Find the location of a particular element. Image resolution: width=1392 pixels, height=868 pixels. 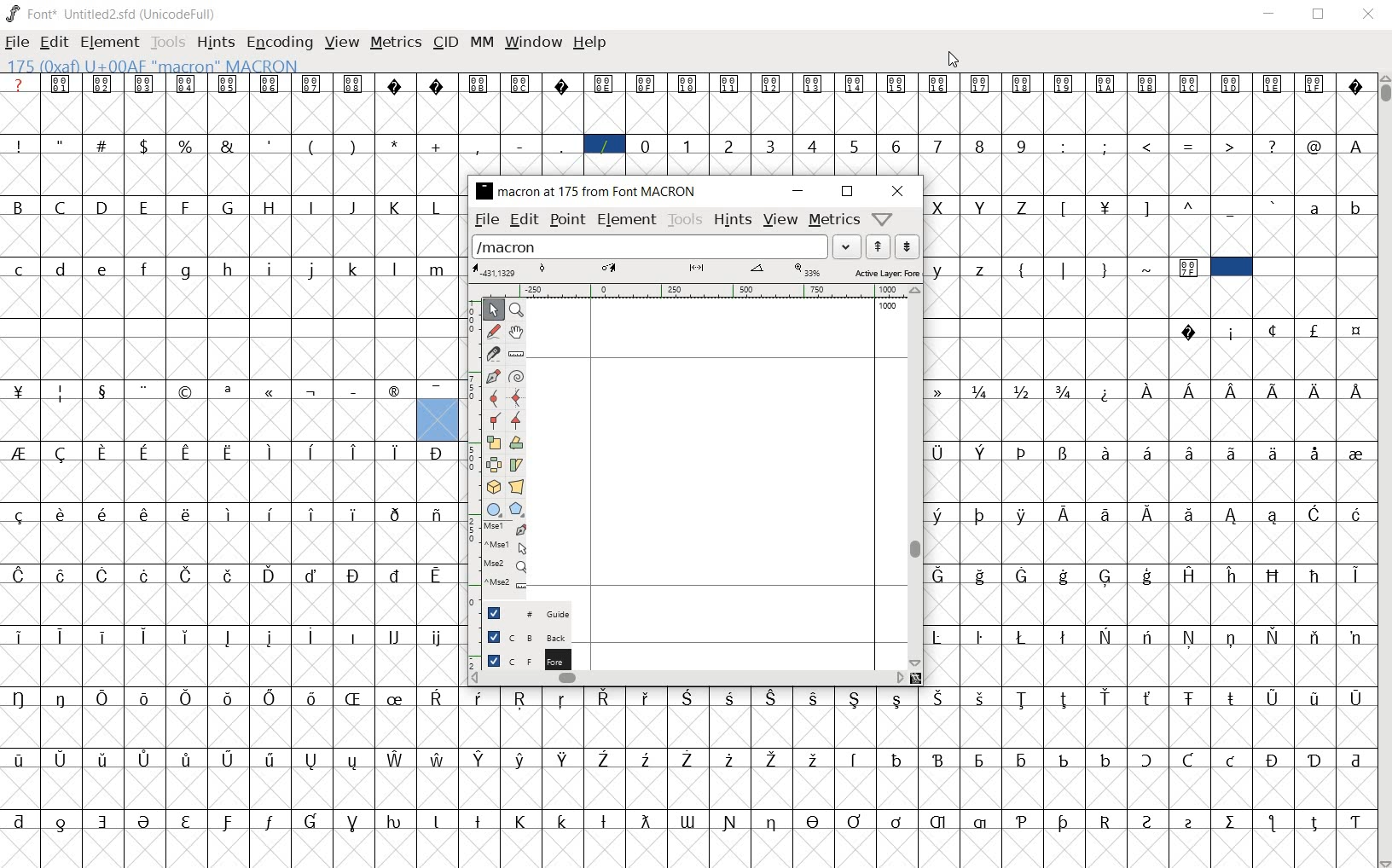

Symbol is located at coordinates (566, 760).